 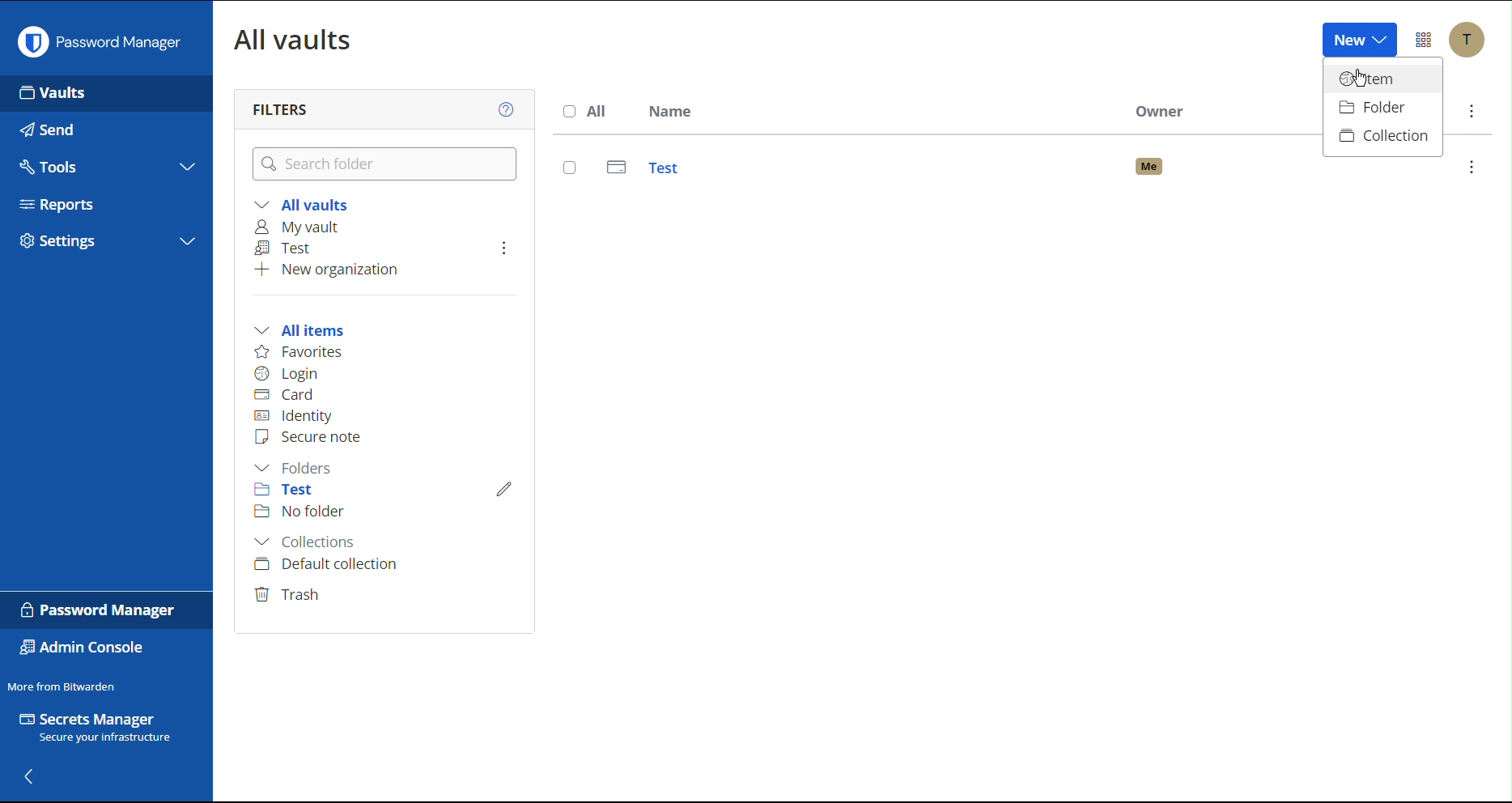 What do you see at coordinates (1383, 137) in the screenshot?
I see `Collection` at bounding box center [1383, 137].